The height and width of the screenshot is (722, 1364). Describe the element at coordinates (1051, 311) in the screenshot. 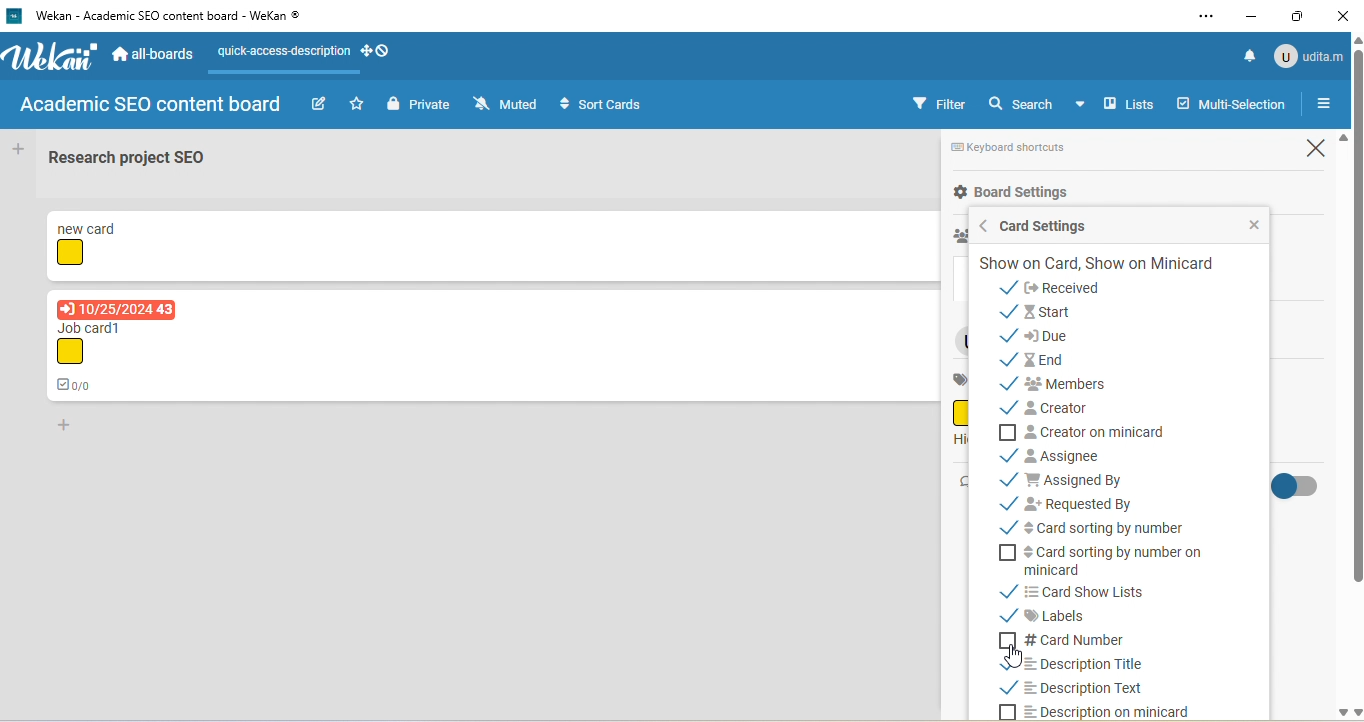

I see `start` at that location.